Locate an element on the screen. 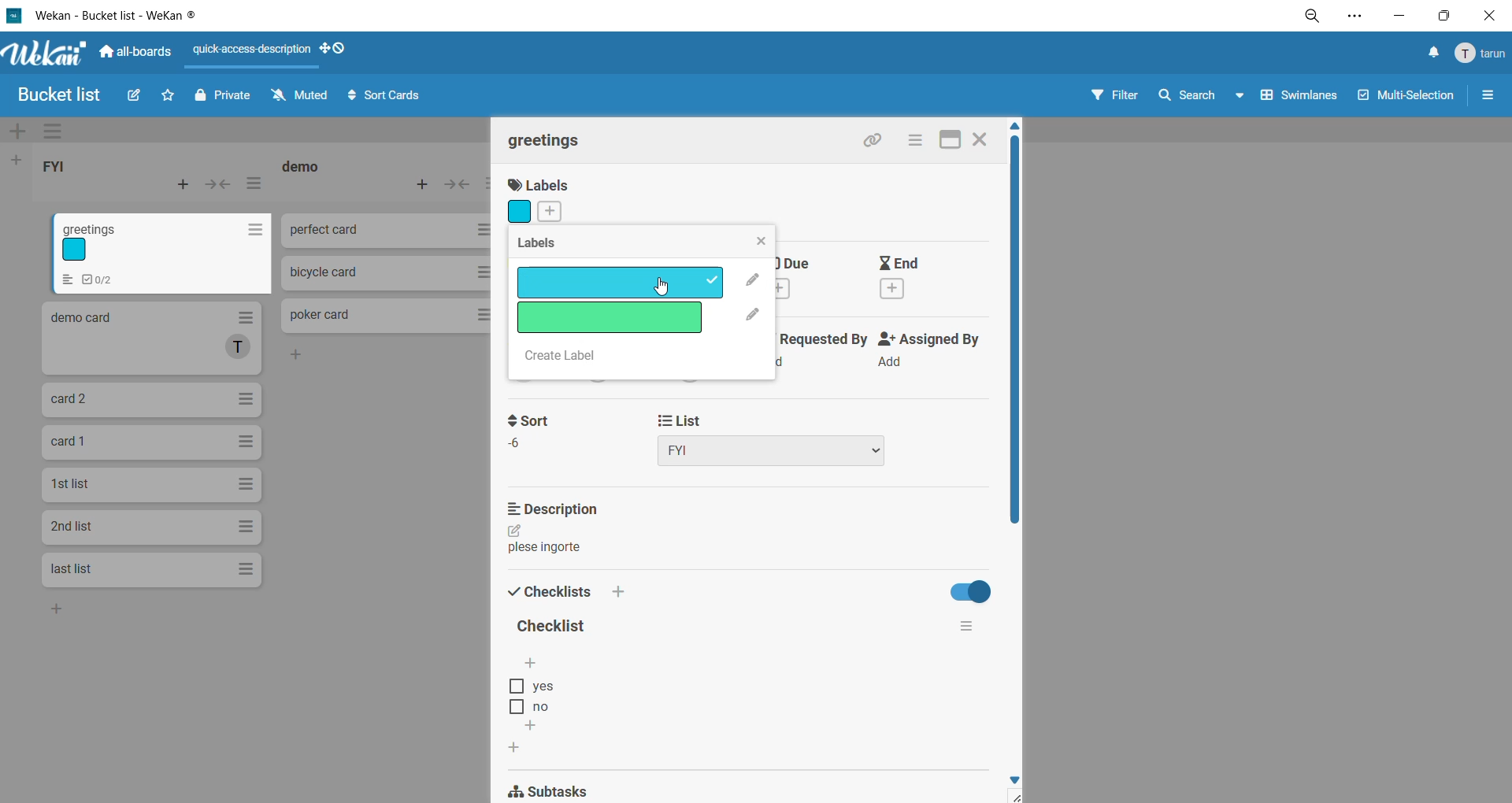  edit label is located at coordinates (751, 297).